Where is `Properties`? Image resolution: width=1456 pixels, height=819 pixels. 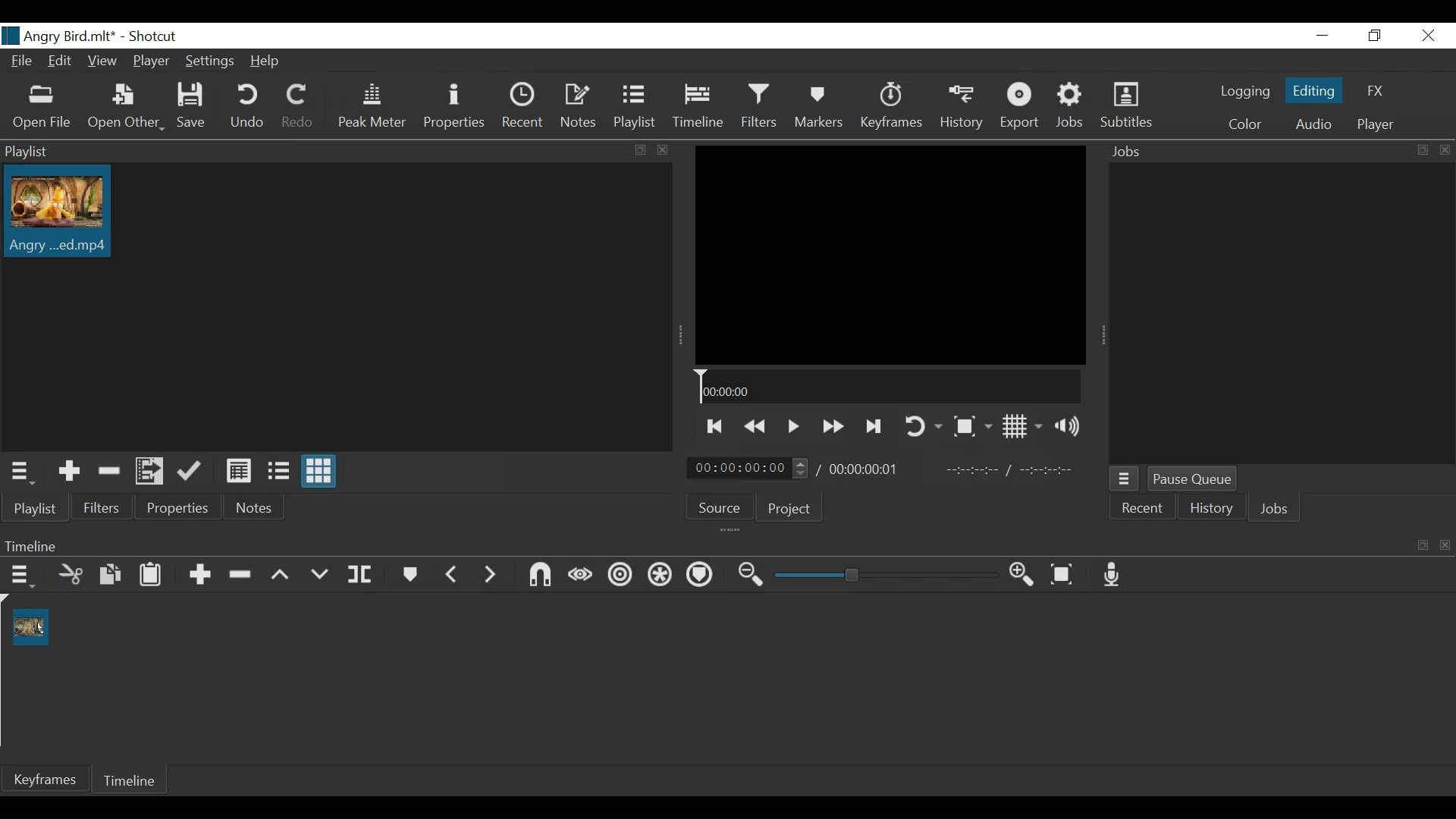
Properties is located at coordinates (456, 106).